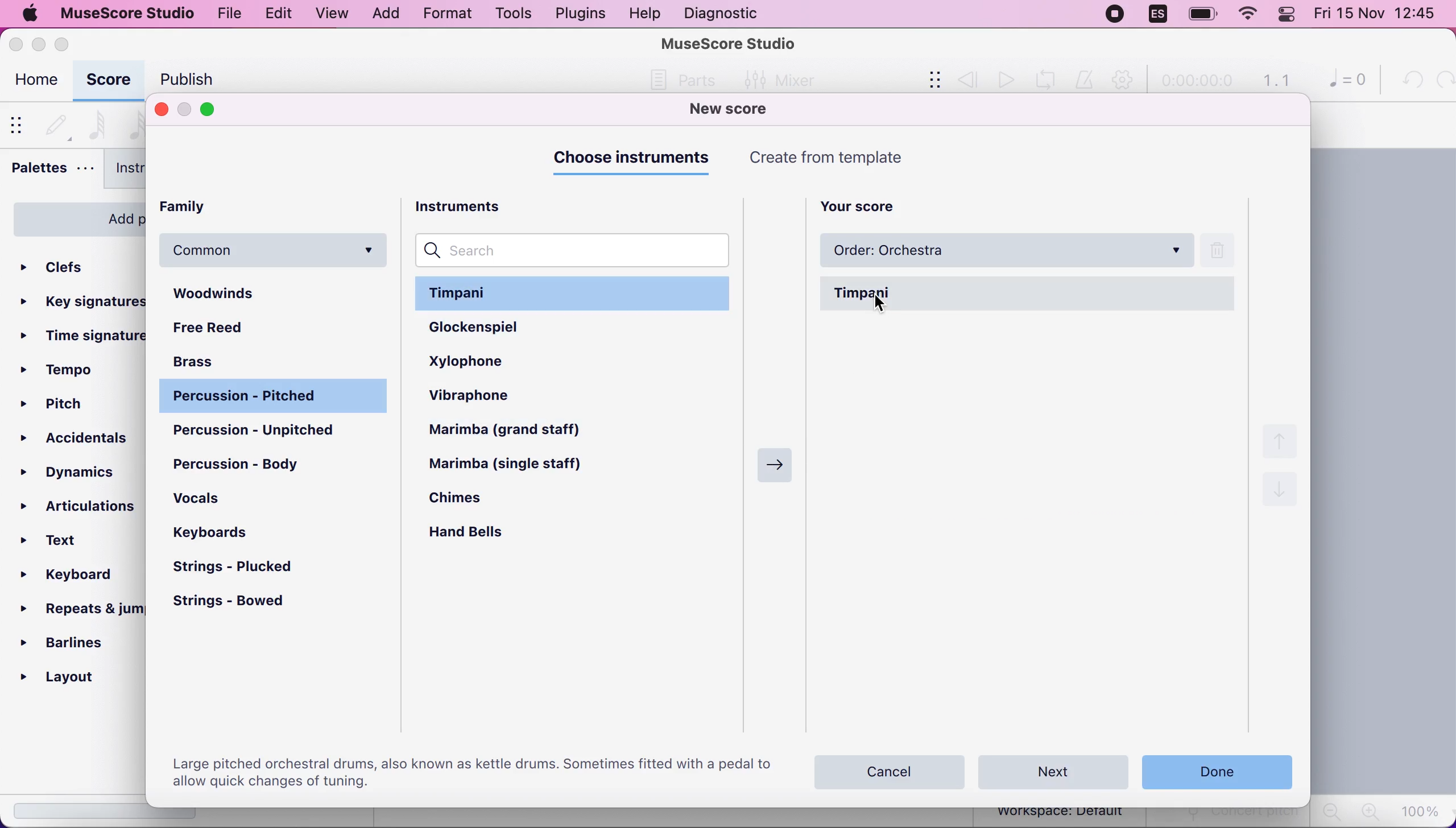 The height and width of the screenshot is (828, 1456). Describe the element at coordinates (866, 204) in the screenshot. I see `your score` at that location.